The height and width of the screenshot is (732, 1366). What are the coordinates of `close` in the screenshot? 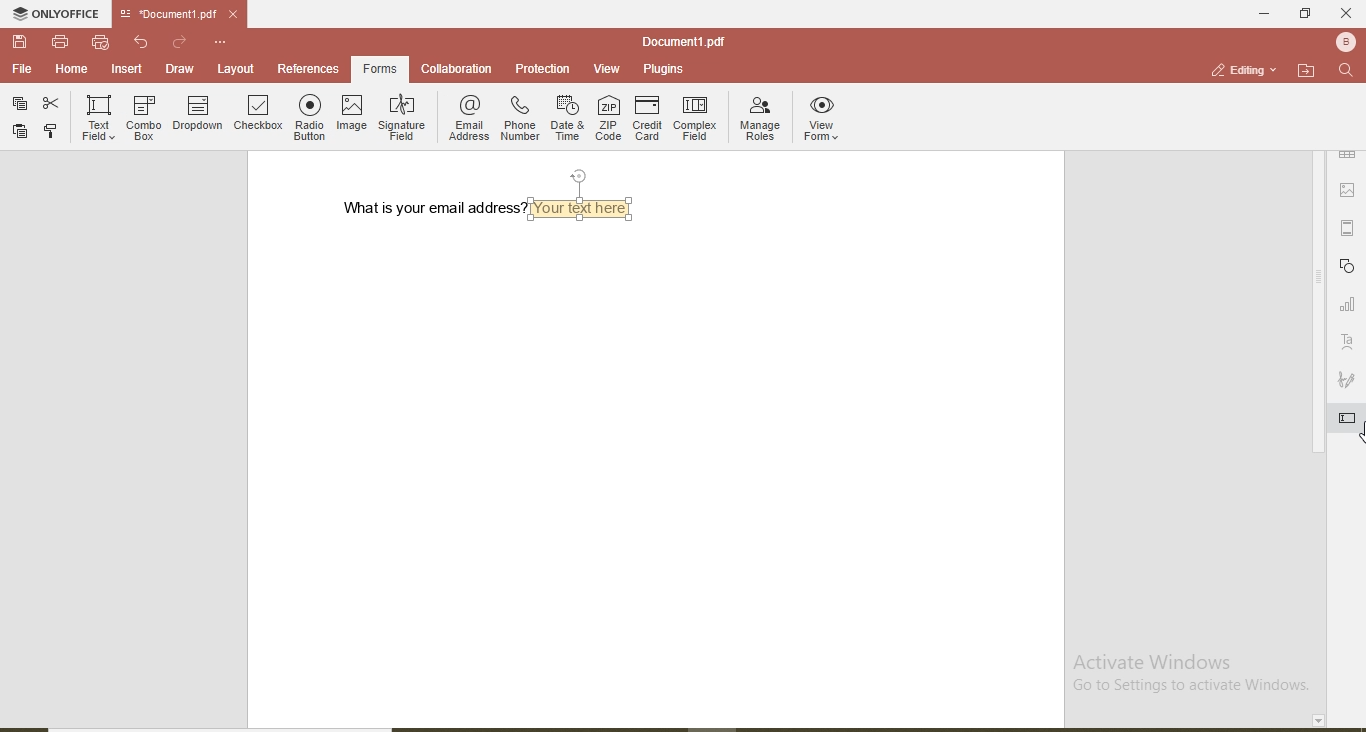 It's located at (1346, 13).